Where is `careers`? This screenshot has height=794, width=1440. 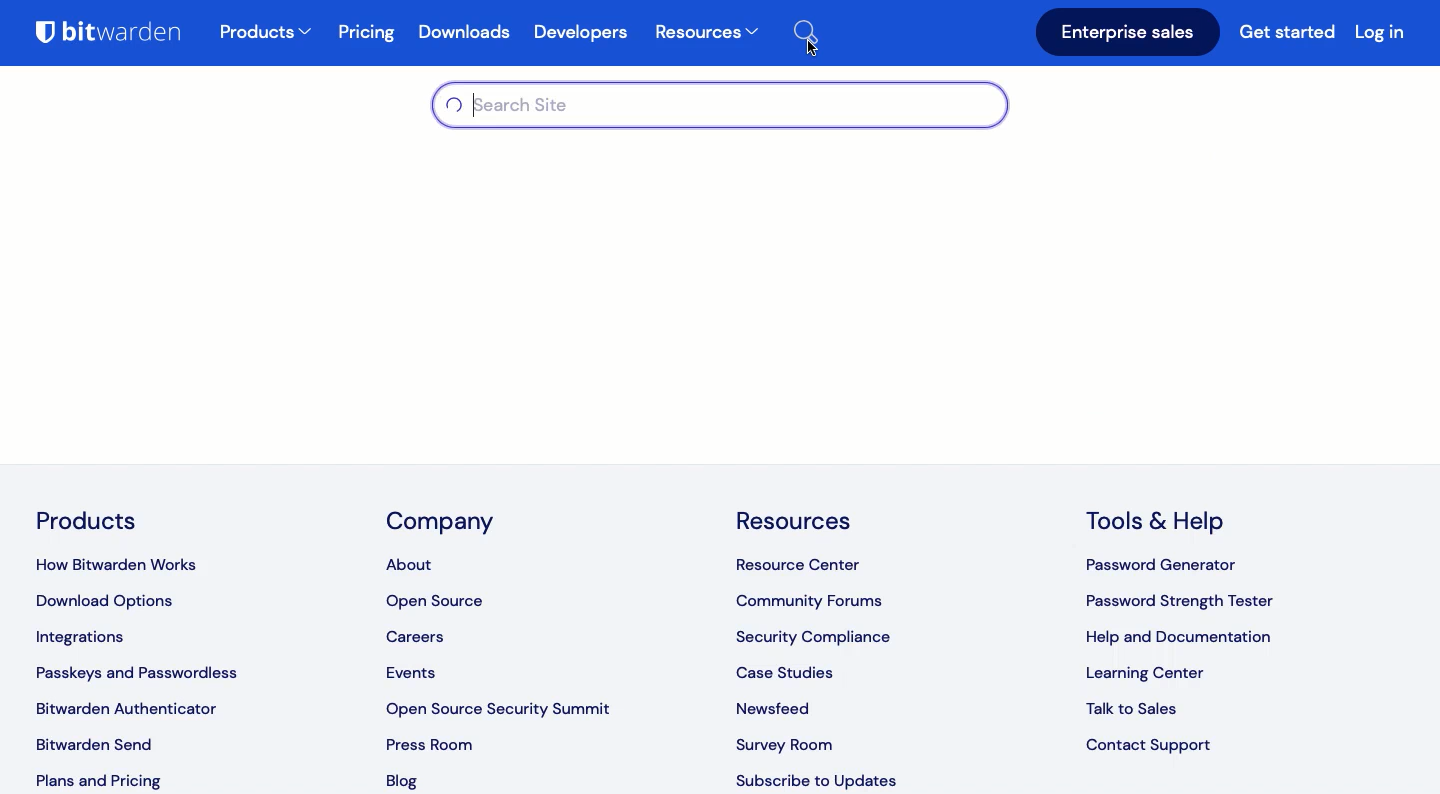 careers is located at coordinates (422, 636).